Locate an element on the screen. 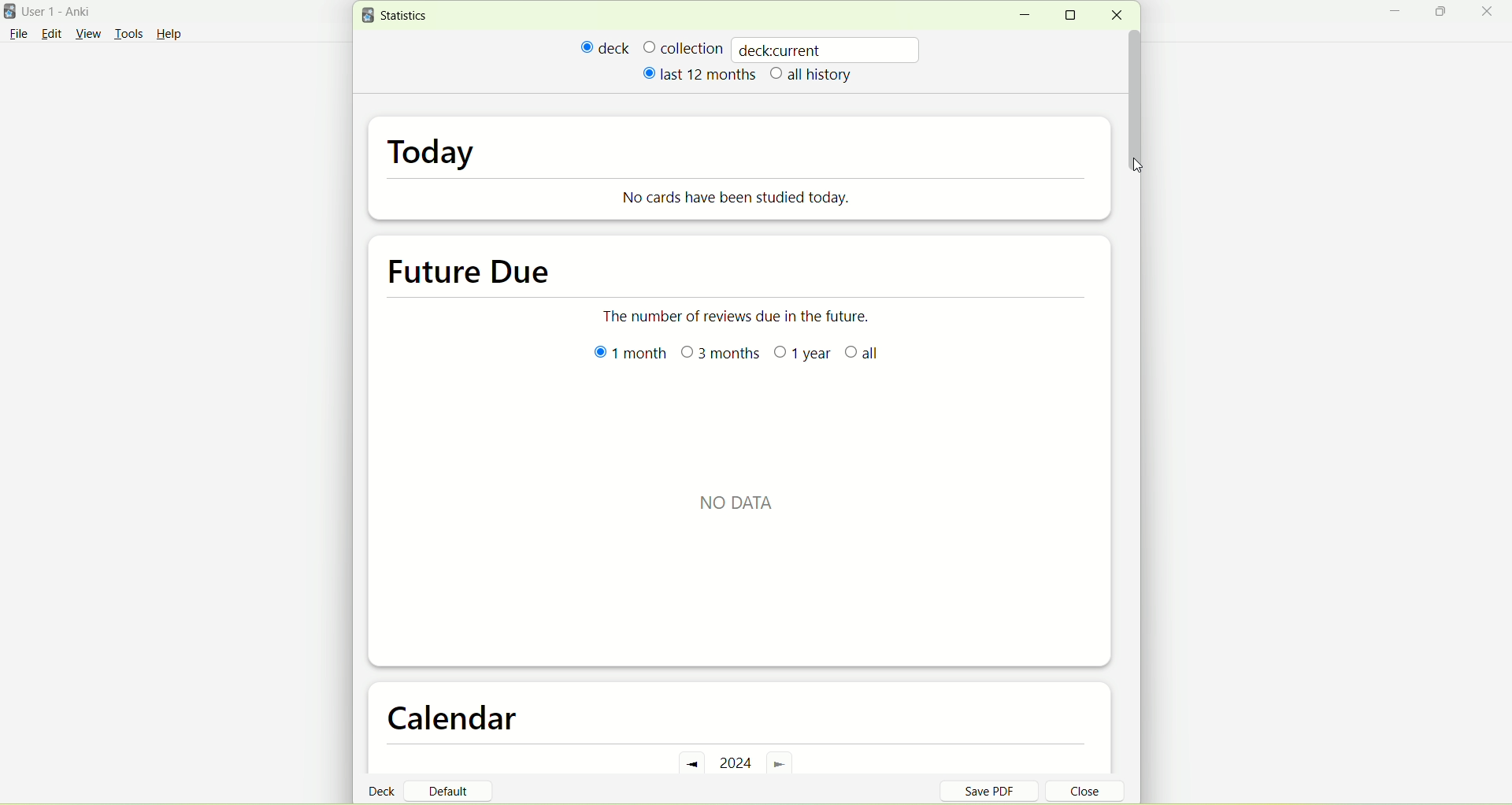 The image size is (1512, 805). User 1- Anki is located at coordinates (67, 14).